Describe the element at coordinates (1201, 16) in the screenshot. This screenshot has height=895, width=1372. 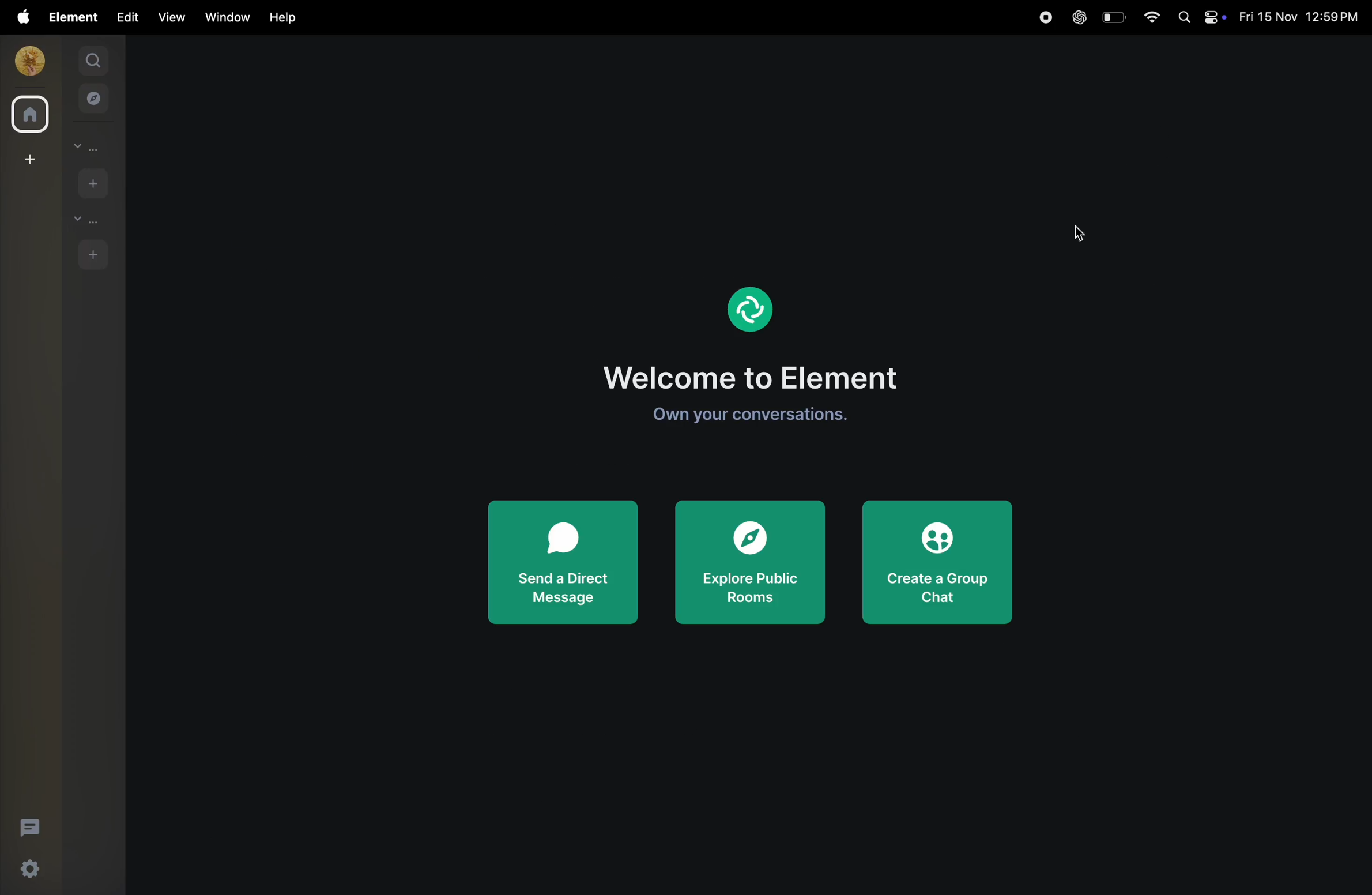
I see `apple widgets` at that location.